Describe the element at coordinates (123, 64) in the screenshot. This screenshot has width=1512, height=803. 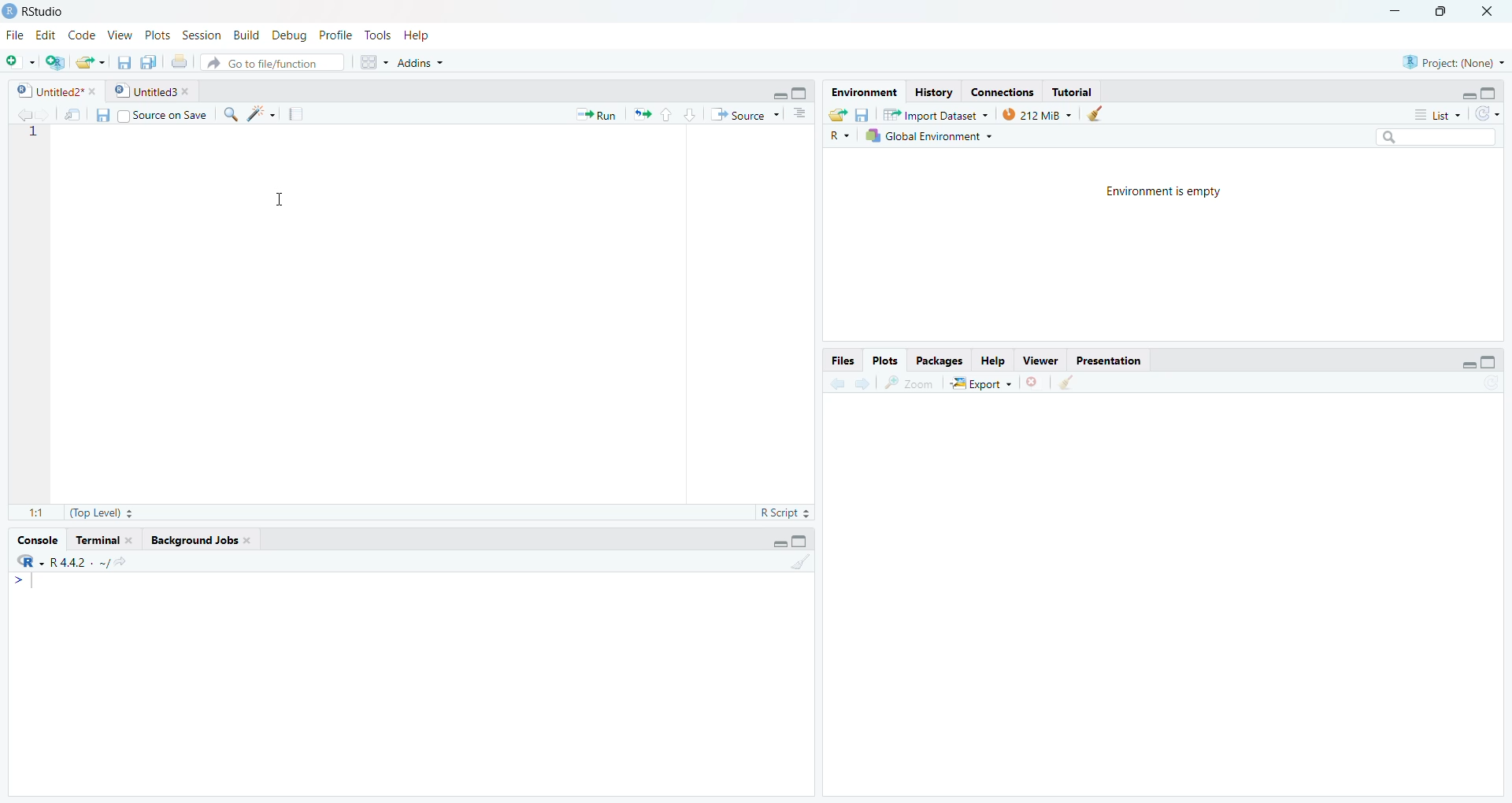
I see `save current documents` at that location.